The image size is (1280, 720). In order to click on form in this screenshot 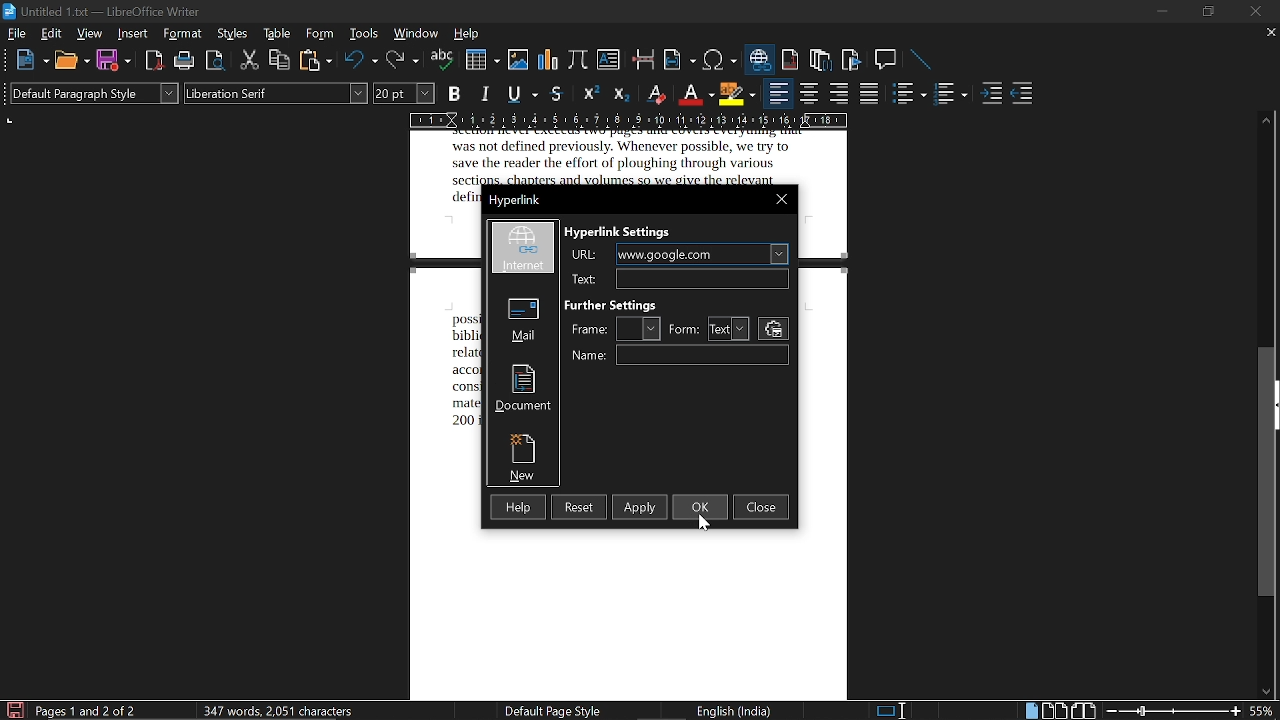, I will do `click(730, 328)`.